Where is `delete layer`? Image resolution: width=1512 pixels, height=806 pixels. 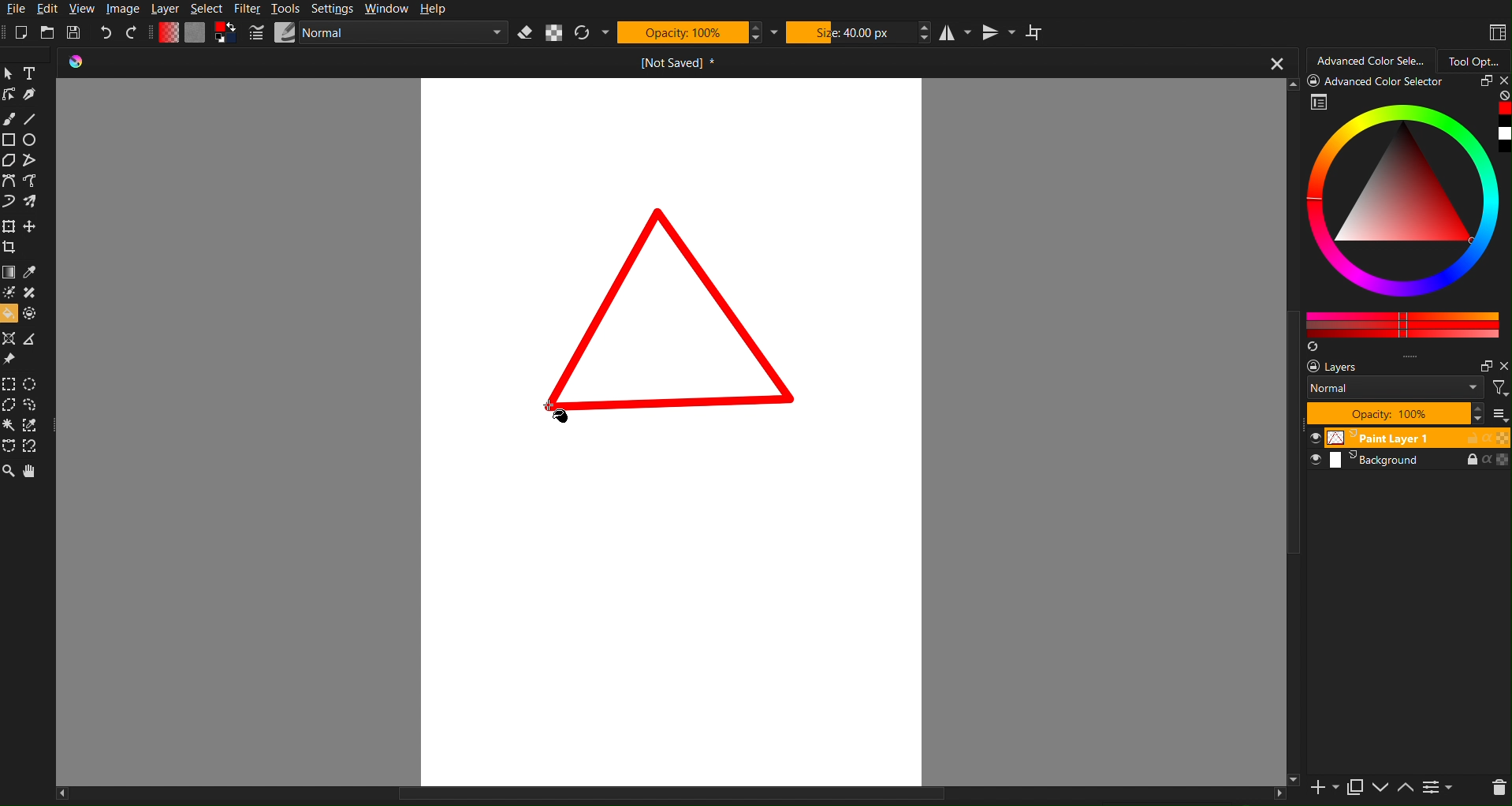 delete layer is located at coordinates (1498, 788).